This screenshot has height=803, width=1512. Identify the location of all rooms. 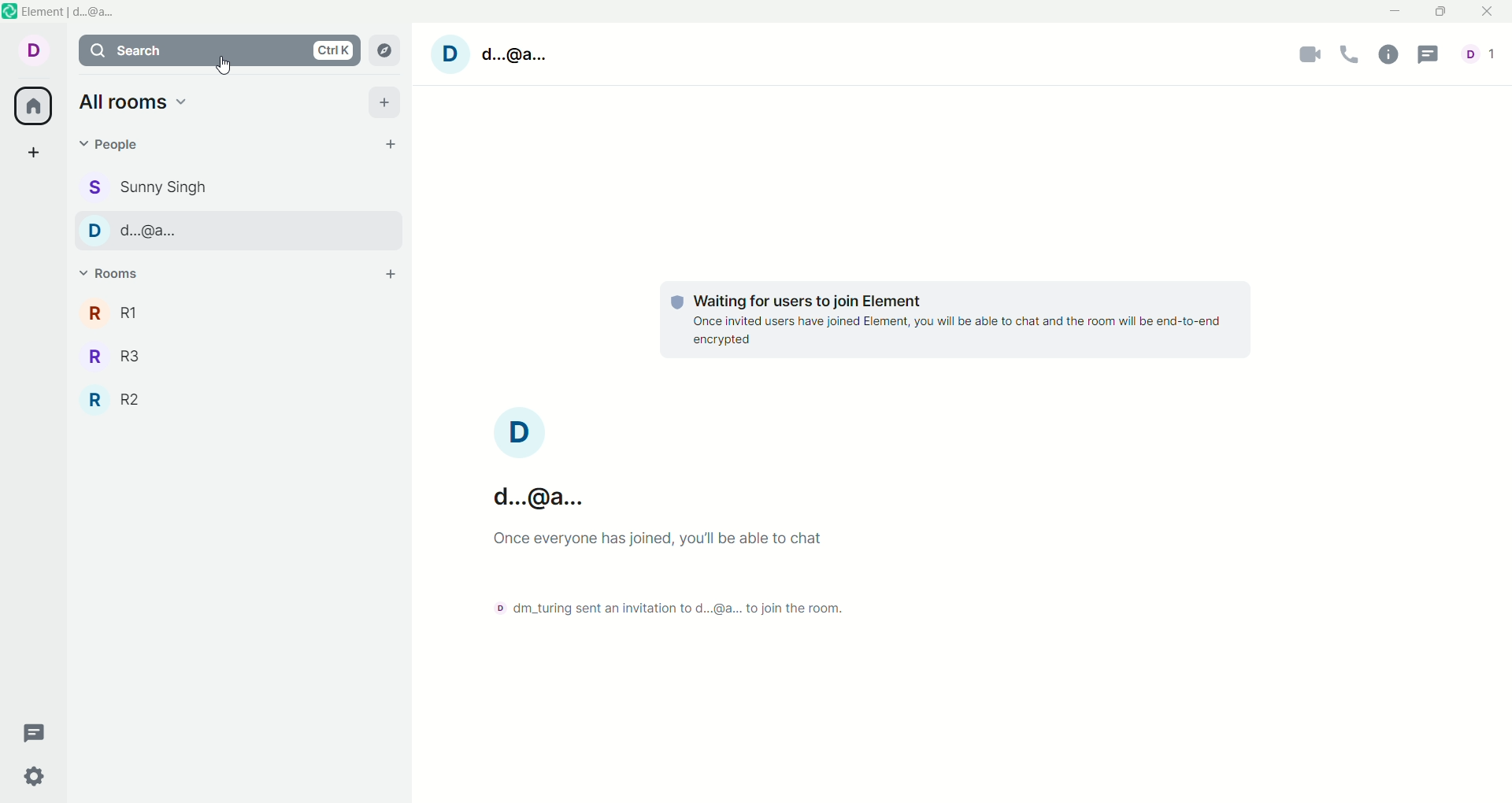
(34, 105).